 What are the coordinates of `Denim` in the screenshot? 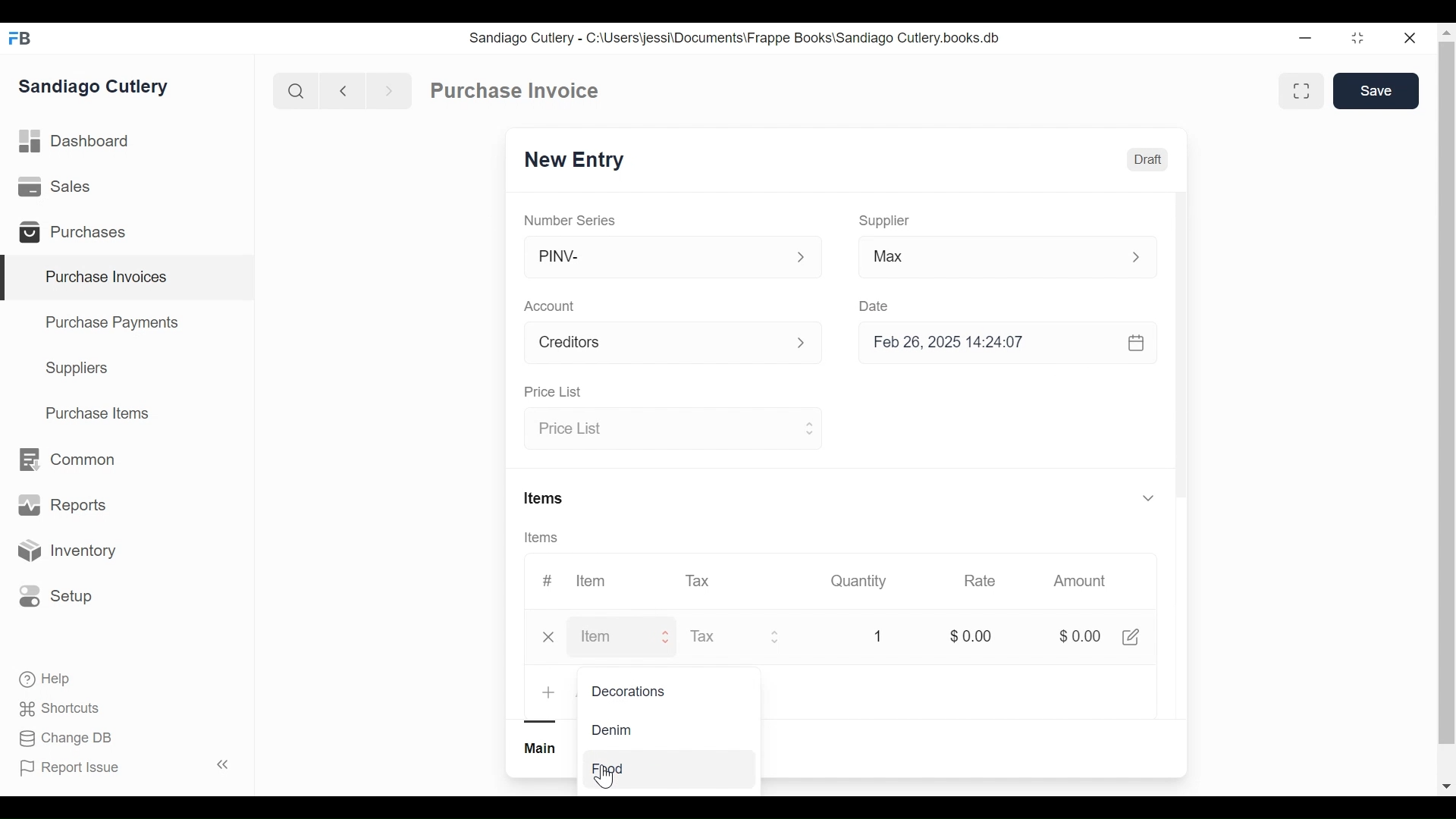 It's located at (619, 730).